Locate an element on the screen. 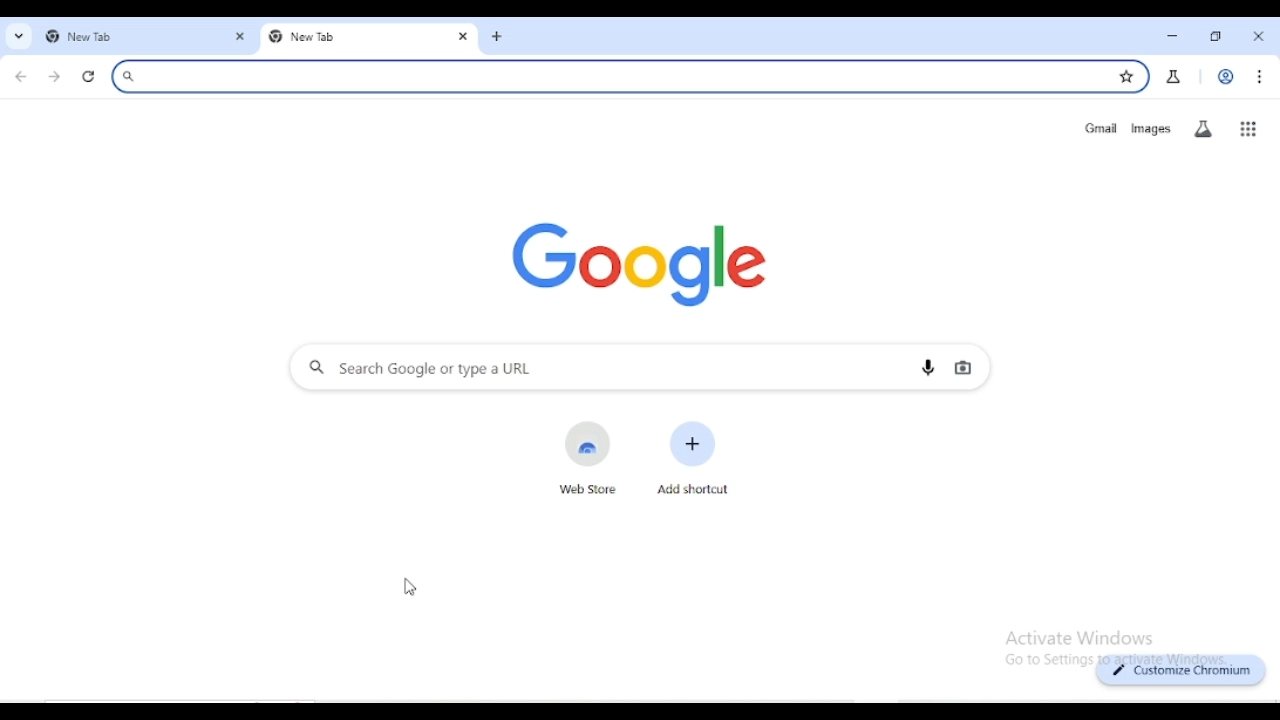  search tabs is located at coordinates (20, 37).